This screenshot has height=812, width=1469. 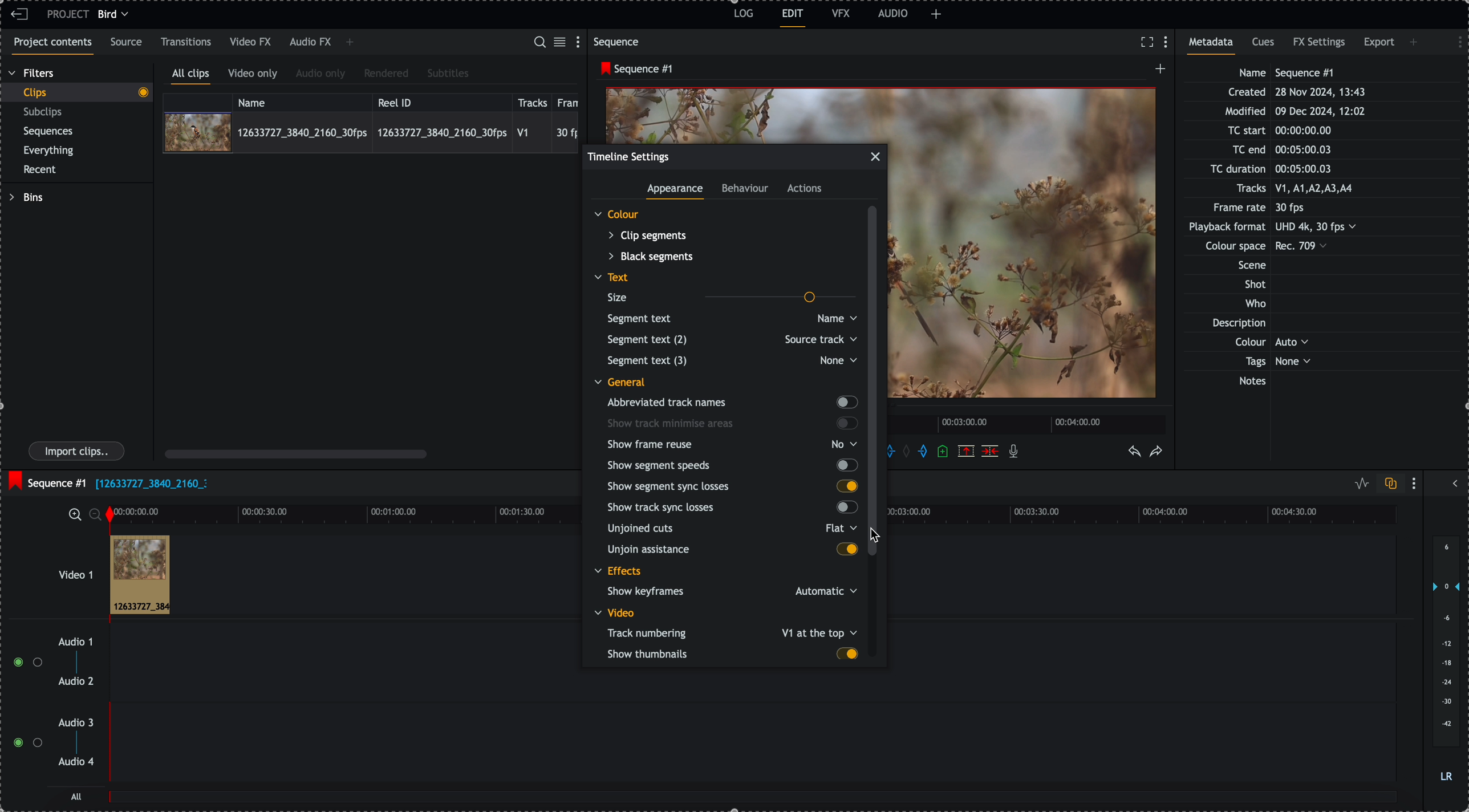 I want to click on , so click(x=47, y=152).